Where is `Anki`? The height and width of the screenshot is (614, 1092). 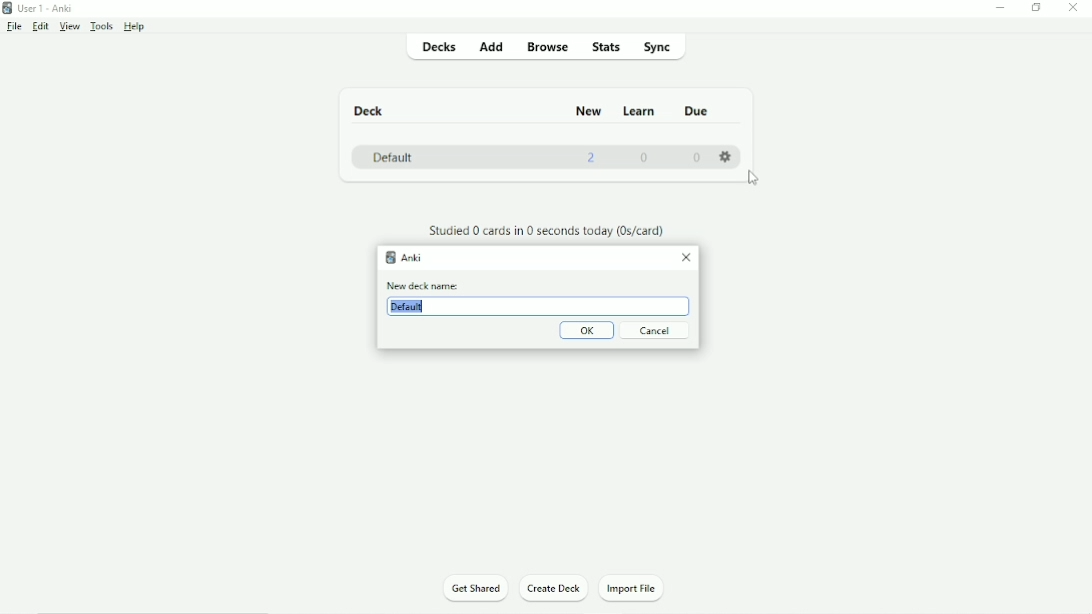
Anki is located at coordinates (404, 257).